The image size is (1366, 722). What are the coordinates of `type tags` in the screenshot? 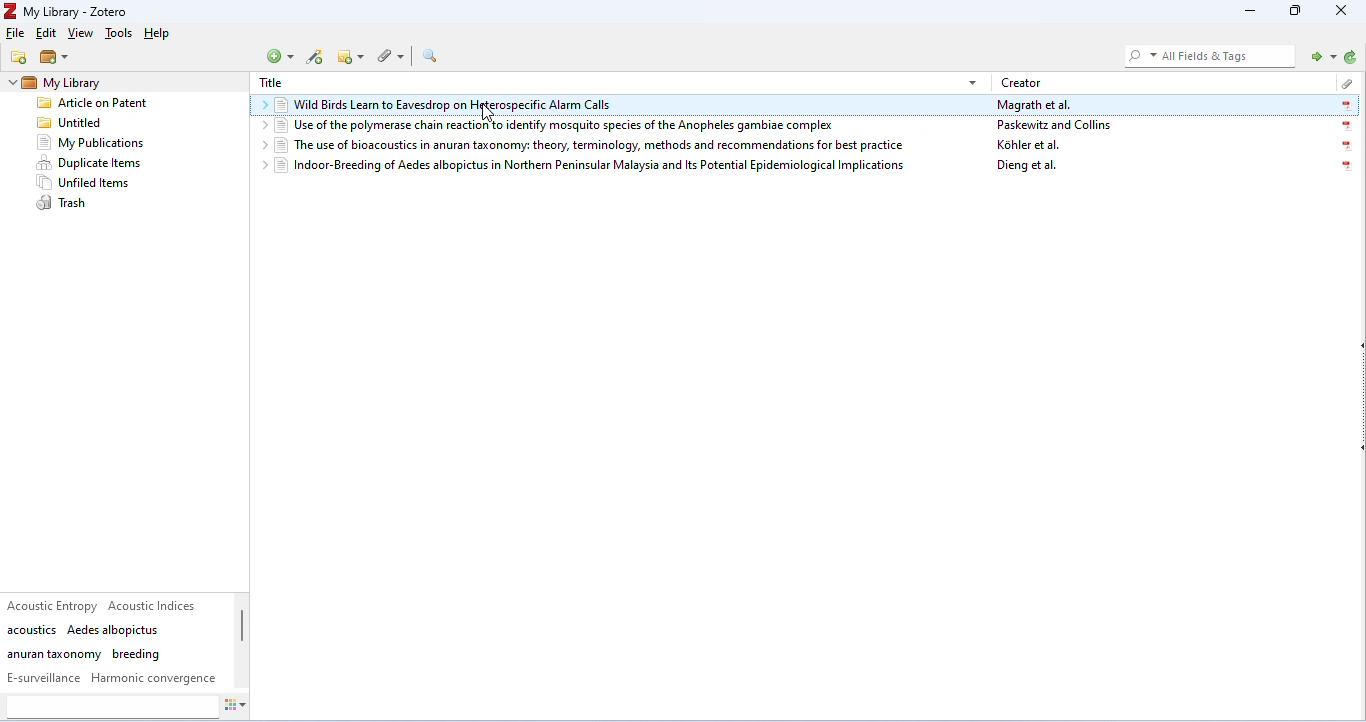 It's located at (112, 707).